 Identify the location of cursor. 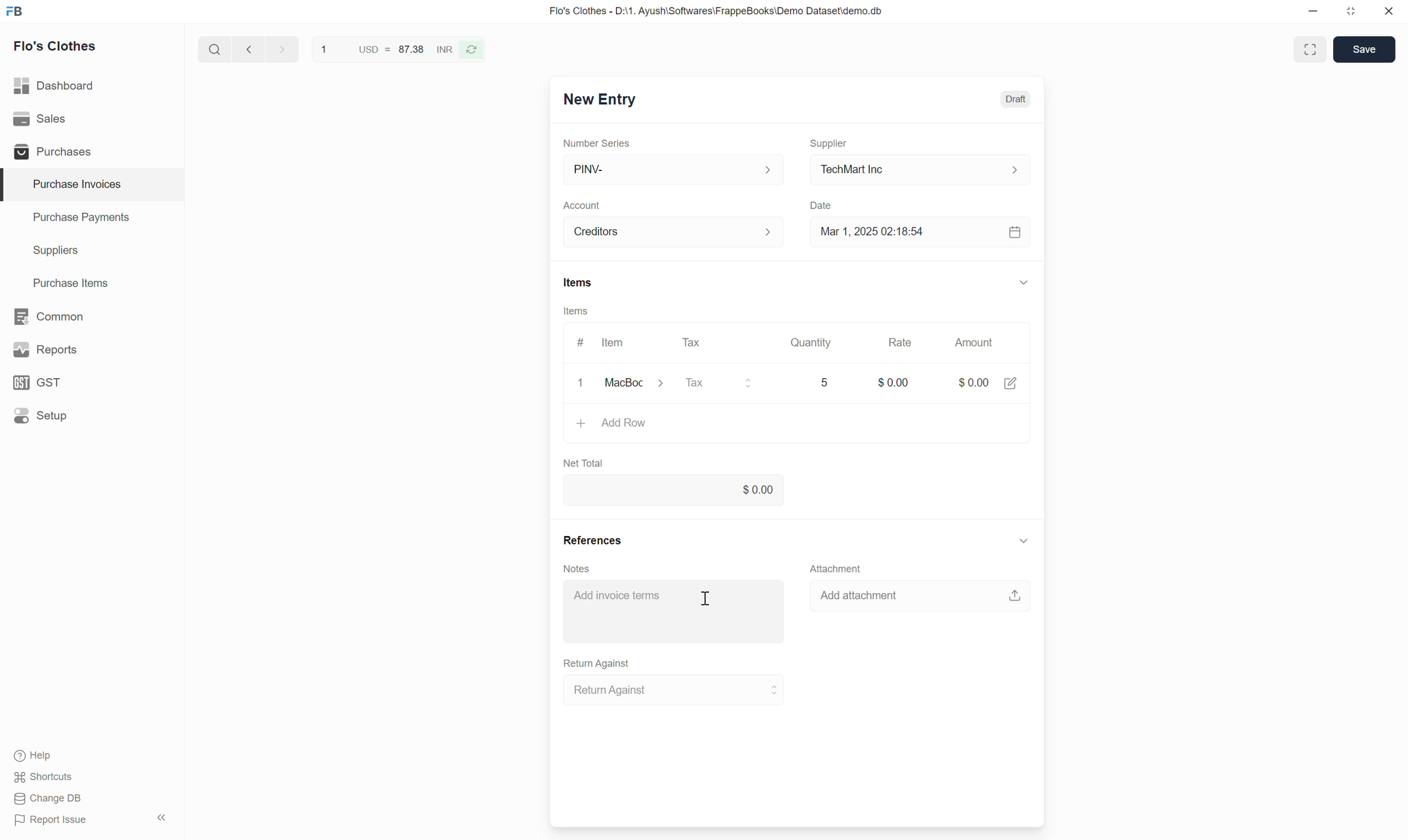
(707, 597).